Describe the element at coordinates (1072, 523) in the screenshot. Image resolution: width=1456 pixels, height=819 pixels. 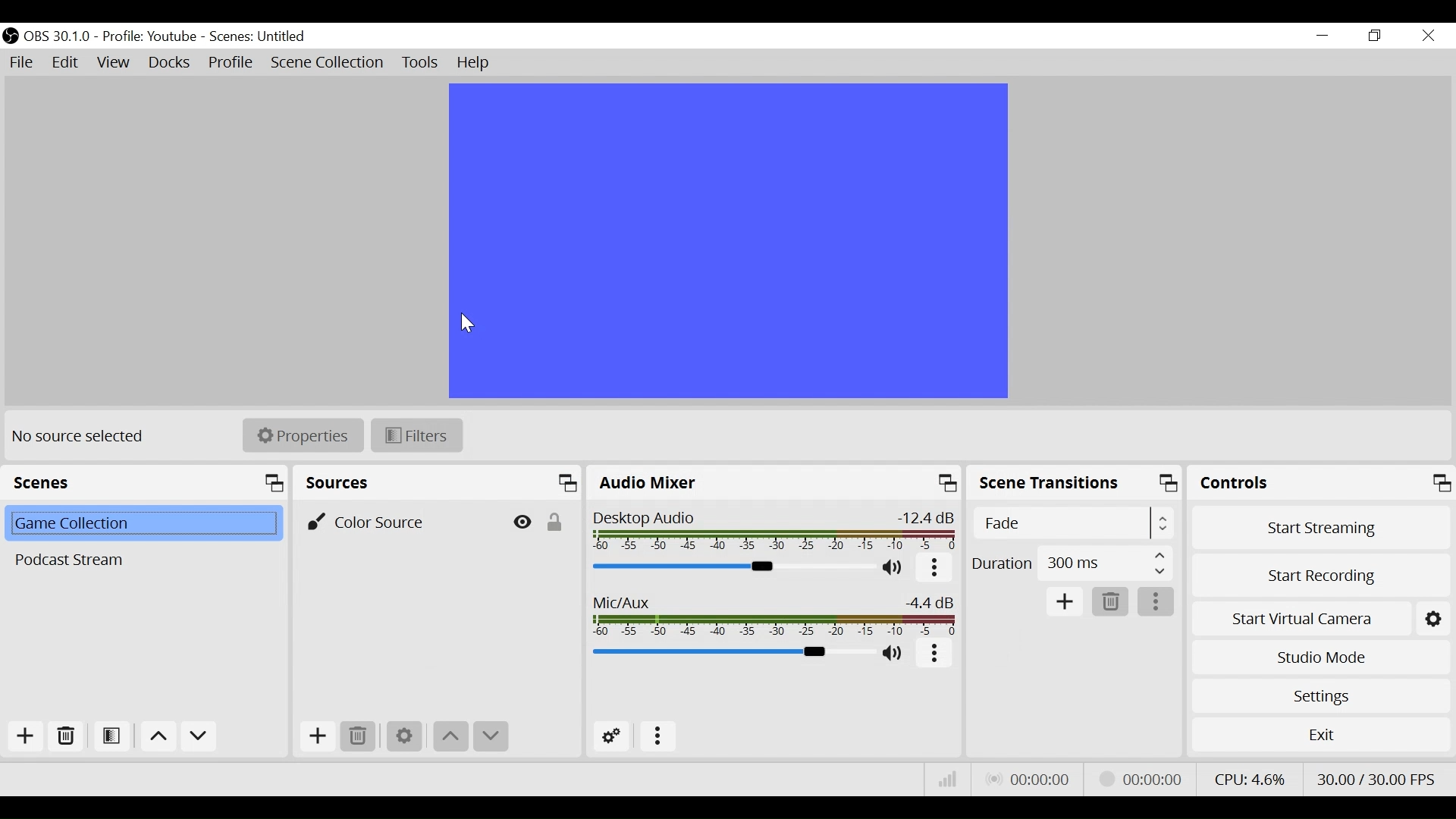
I see `Select Scene Transition` at that location.